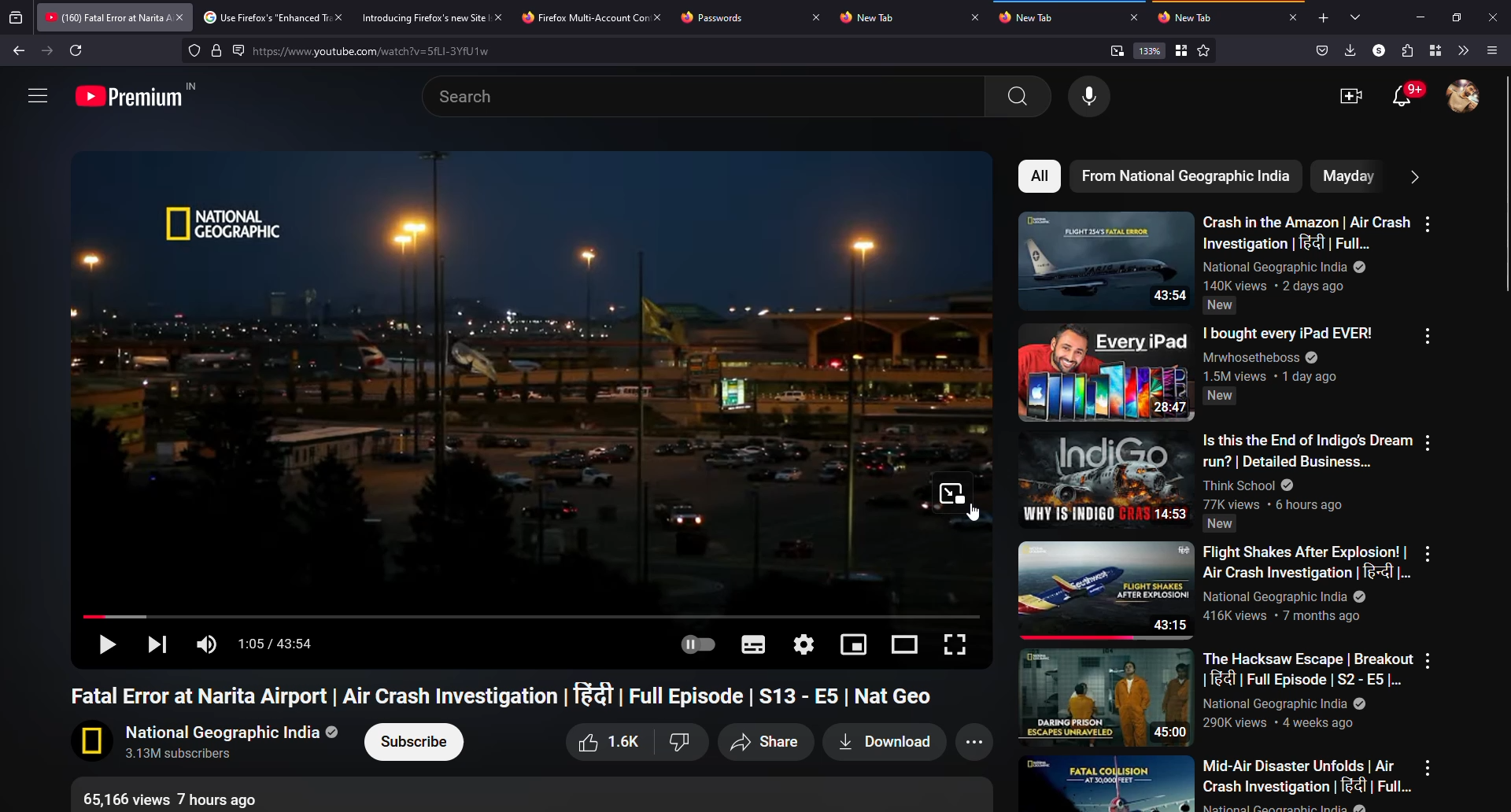 The image size is (1511, 812). I want to click on video, so click(1351, 96).